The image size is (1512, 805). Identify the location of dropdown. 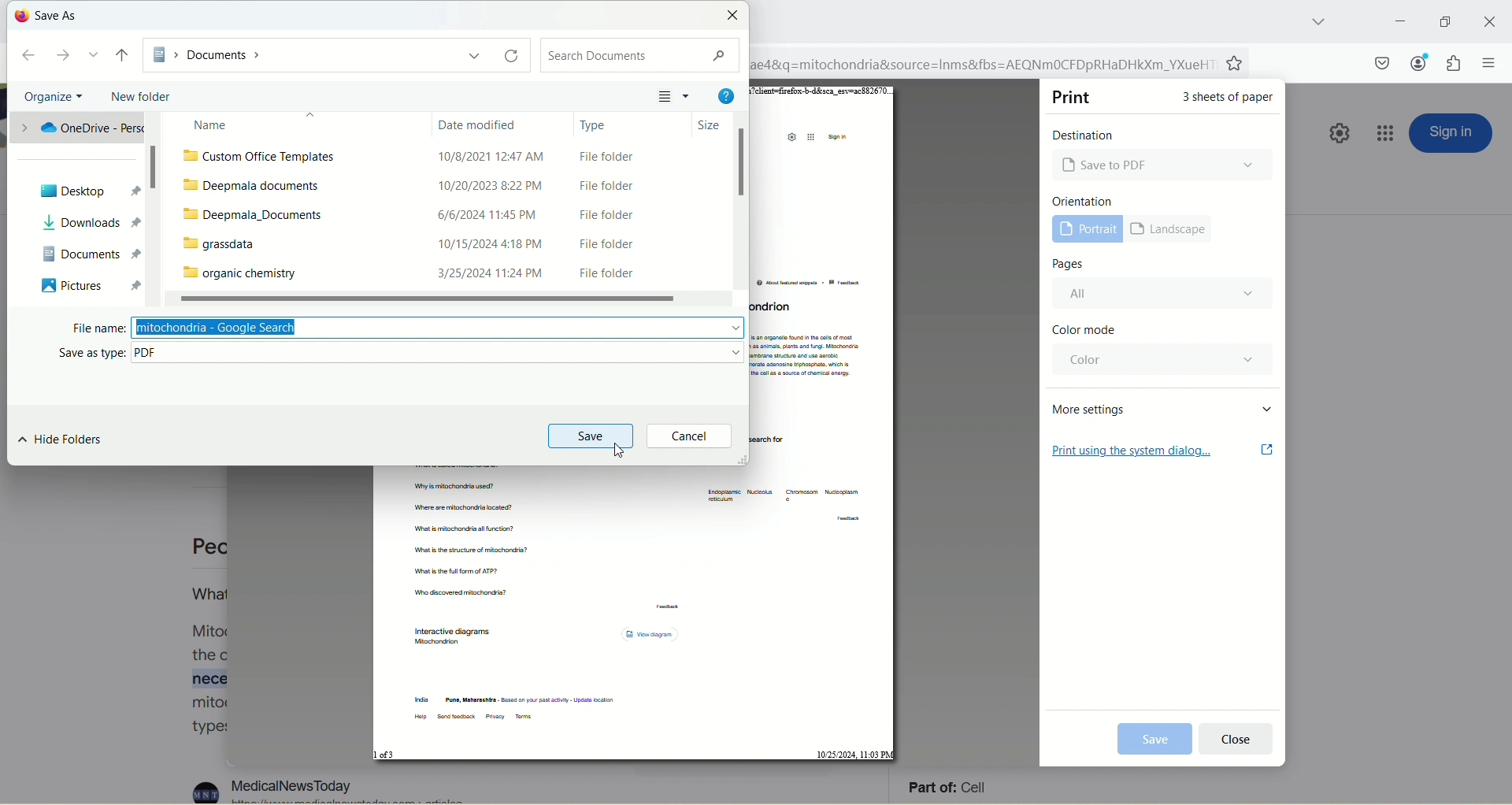
(94, 55).